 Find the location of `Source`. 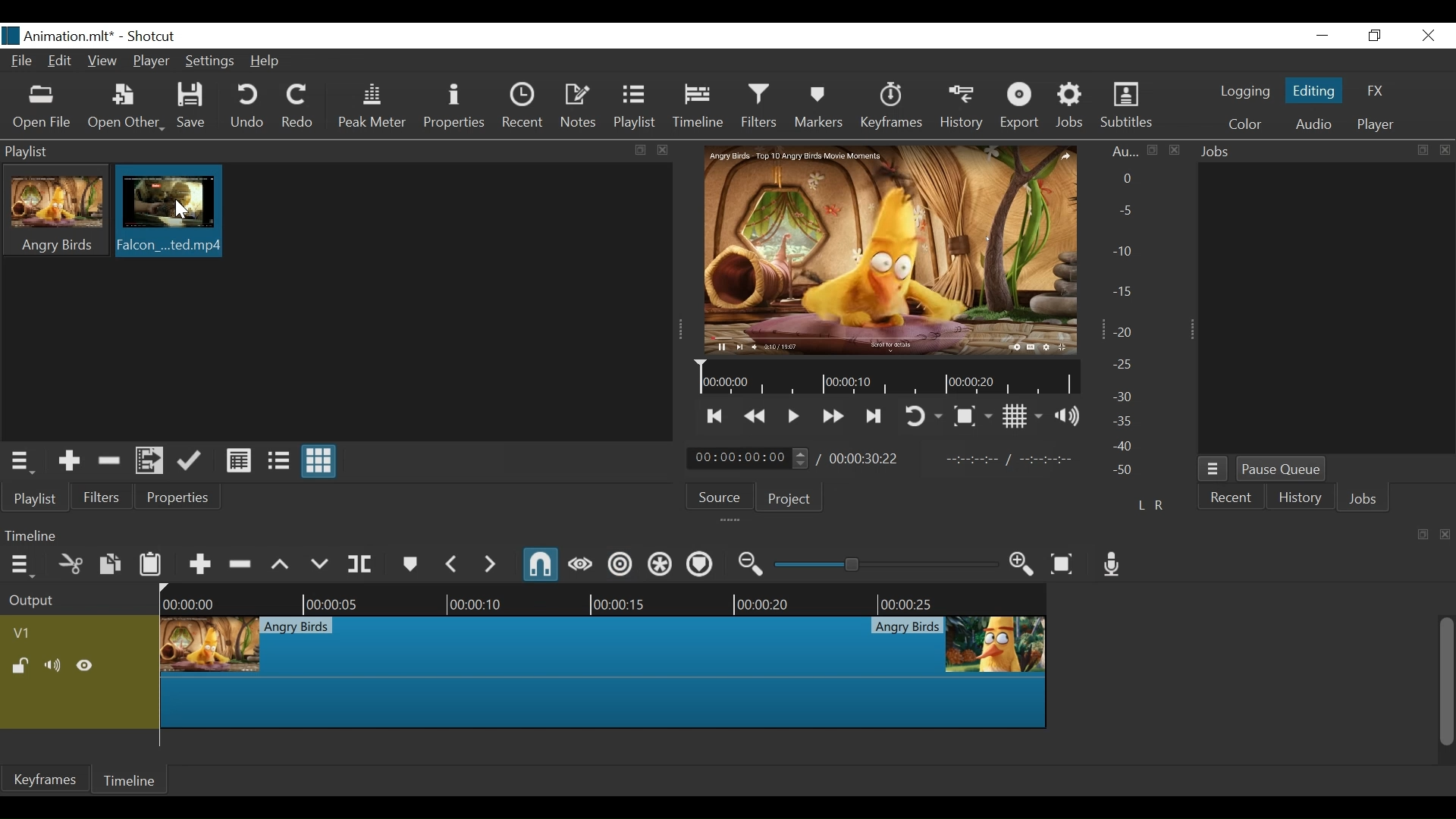

Source is located at coordinates (720, 497).